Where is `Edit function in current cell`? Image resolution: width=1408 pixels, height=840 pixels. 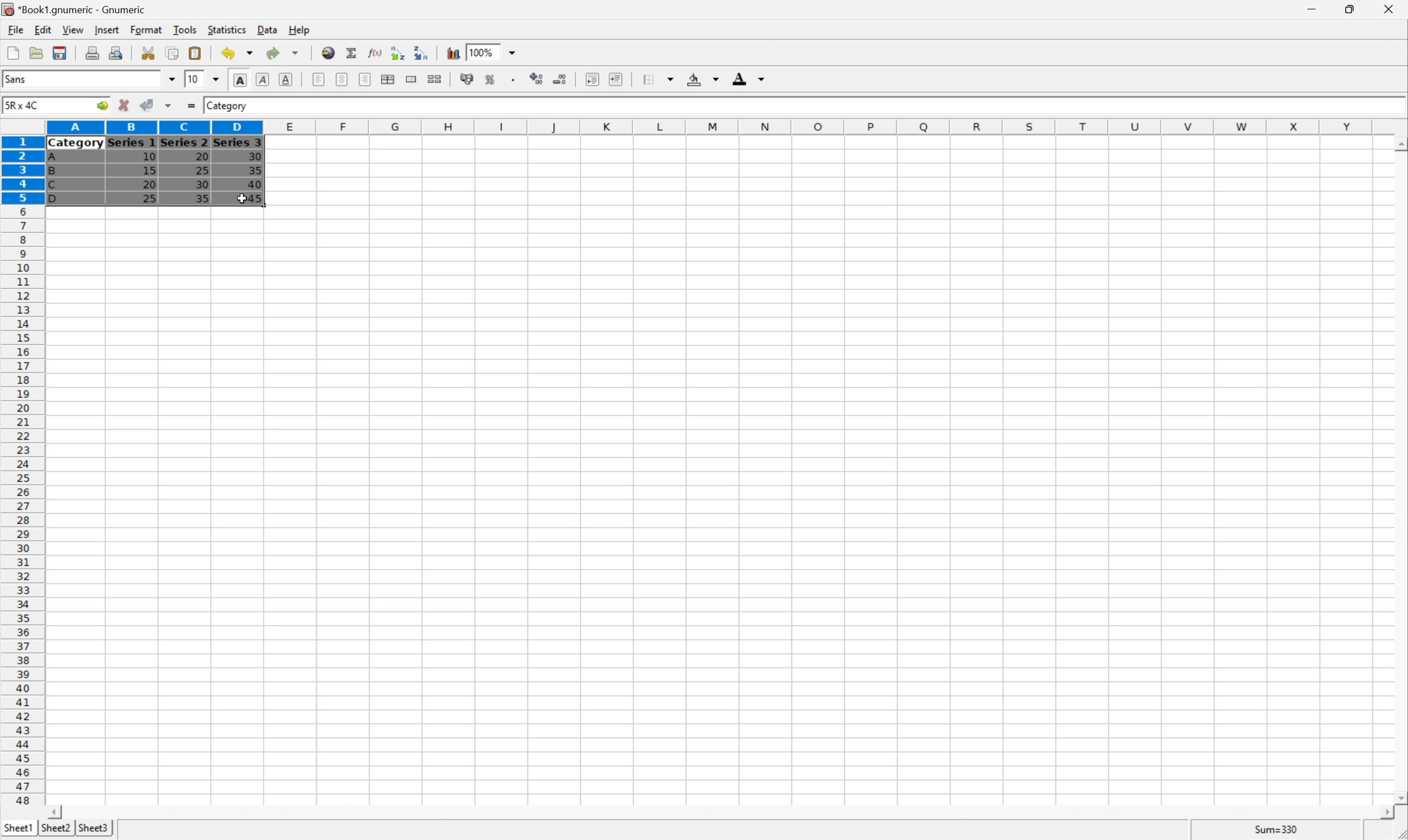
Edit function in current cell is located at coordinates (376, 53).